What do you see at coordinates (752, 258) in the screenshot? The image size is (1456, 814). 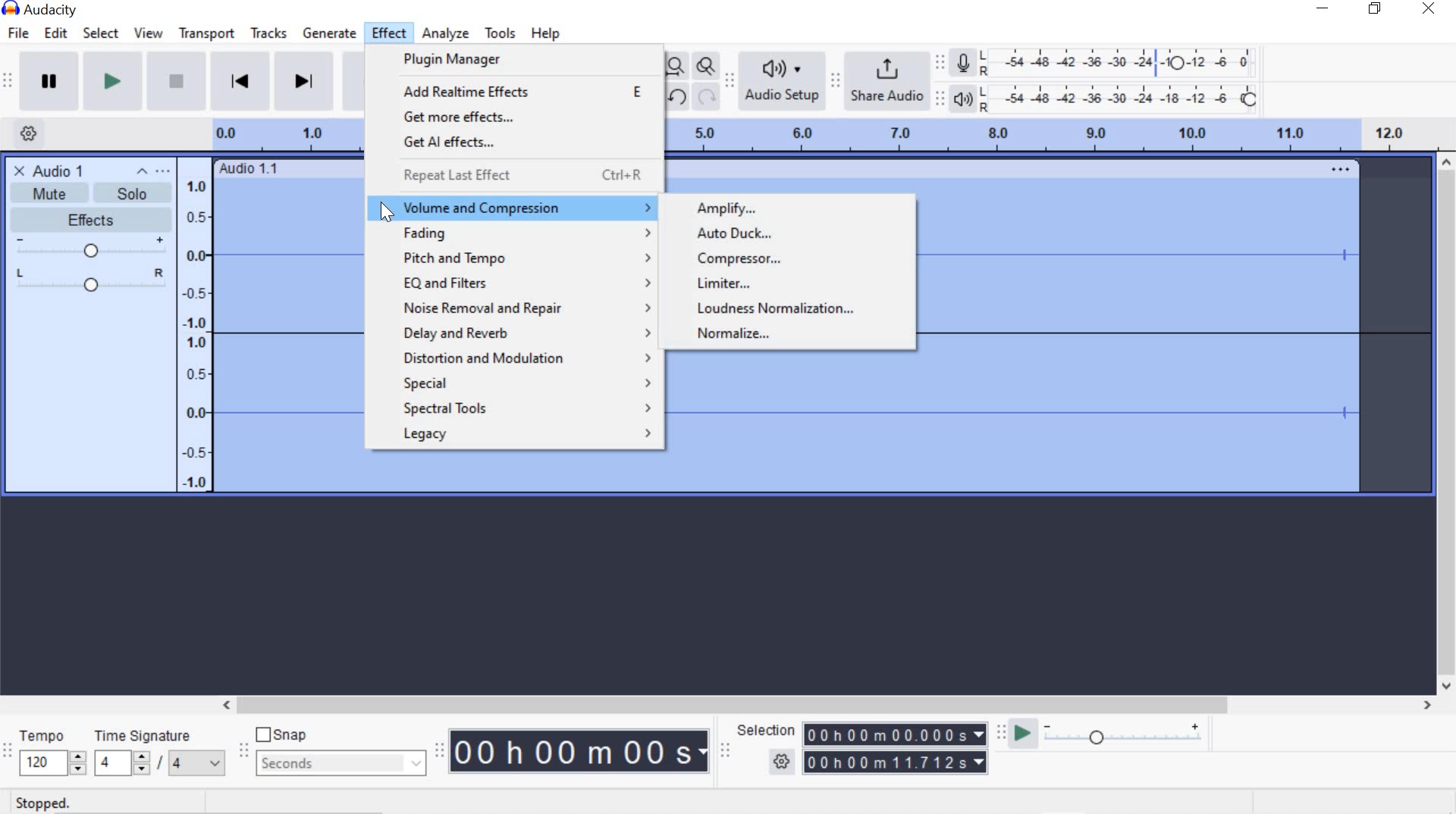 I see `Compressor` at bounding box center [752, 258].